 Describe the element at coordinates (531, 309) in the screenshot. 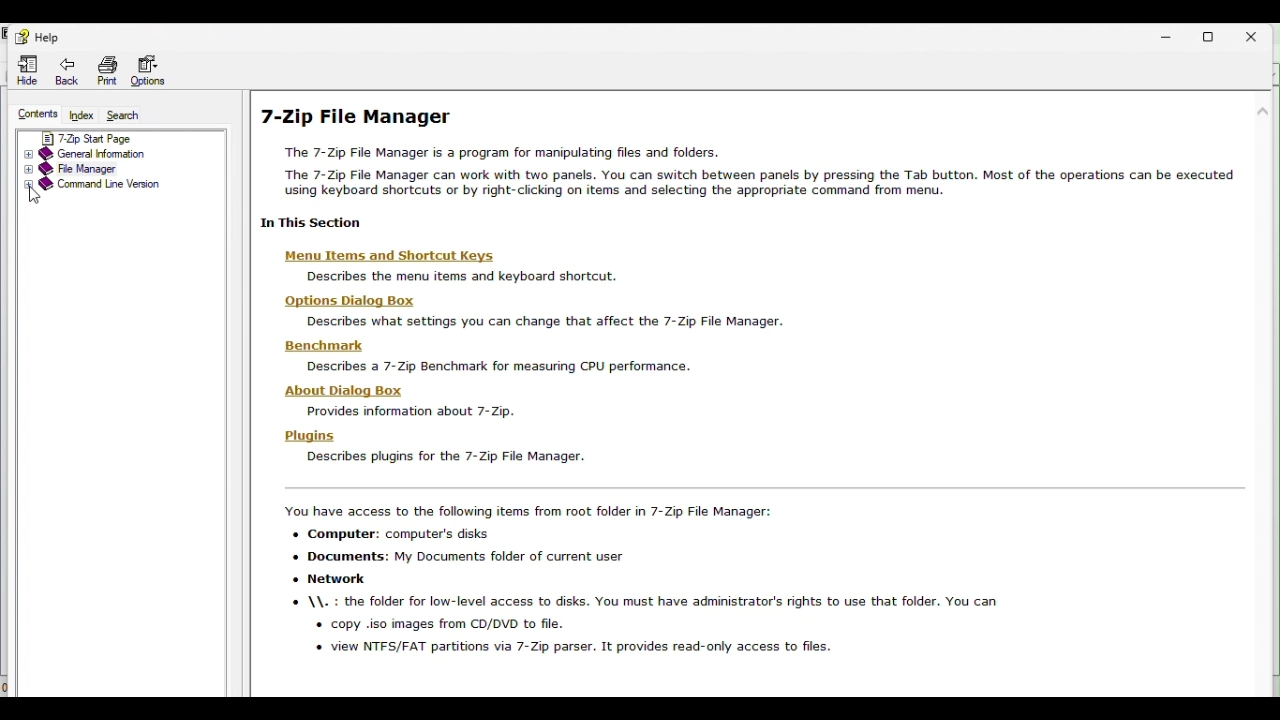

I see `options dialog box` at that location.